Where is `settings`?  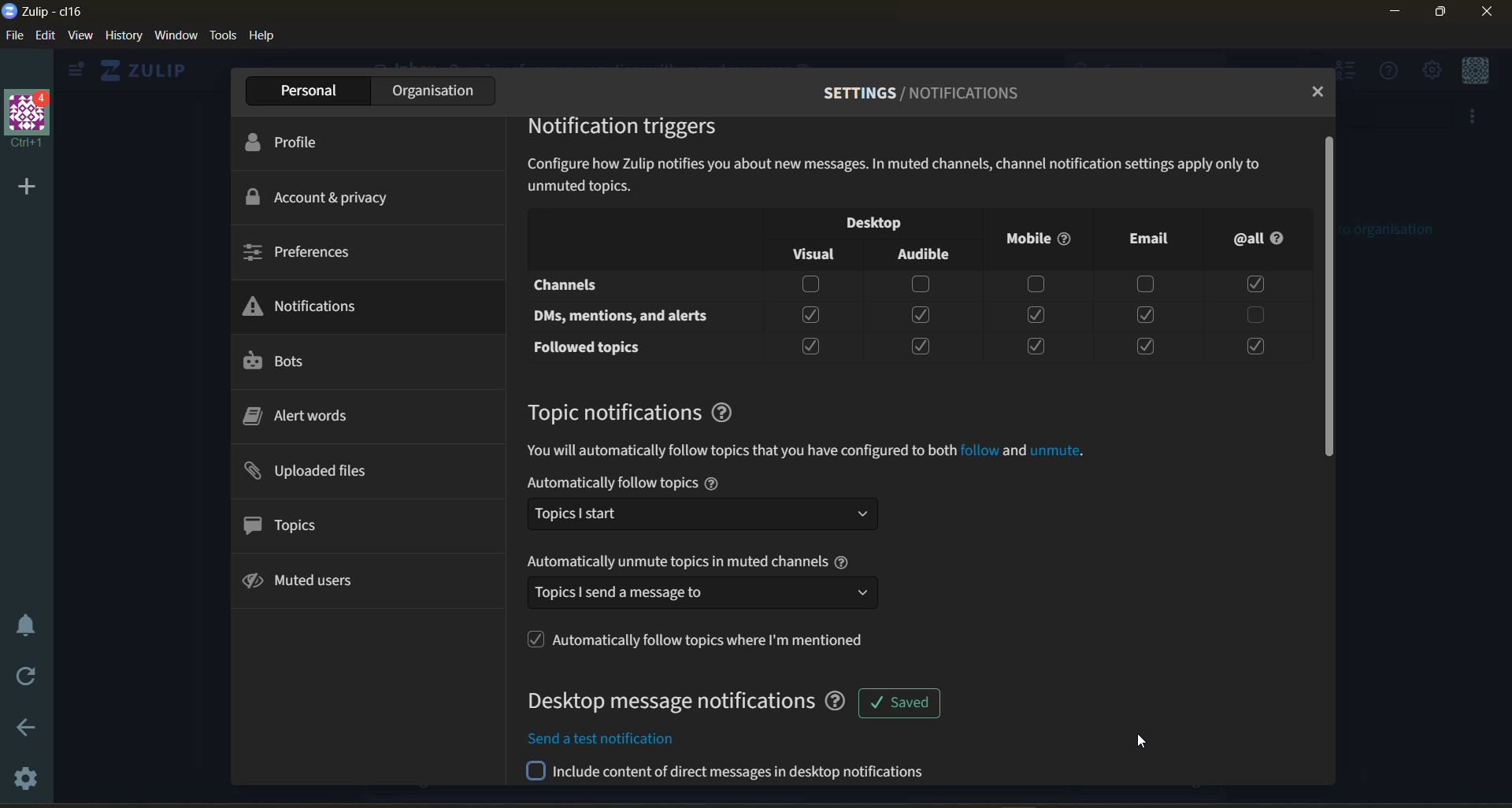 settings is located at coordinates (27, 784).